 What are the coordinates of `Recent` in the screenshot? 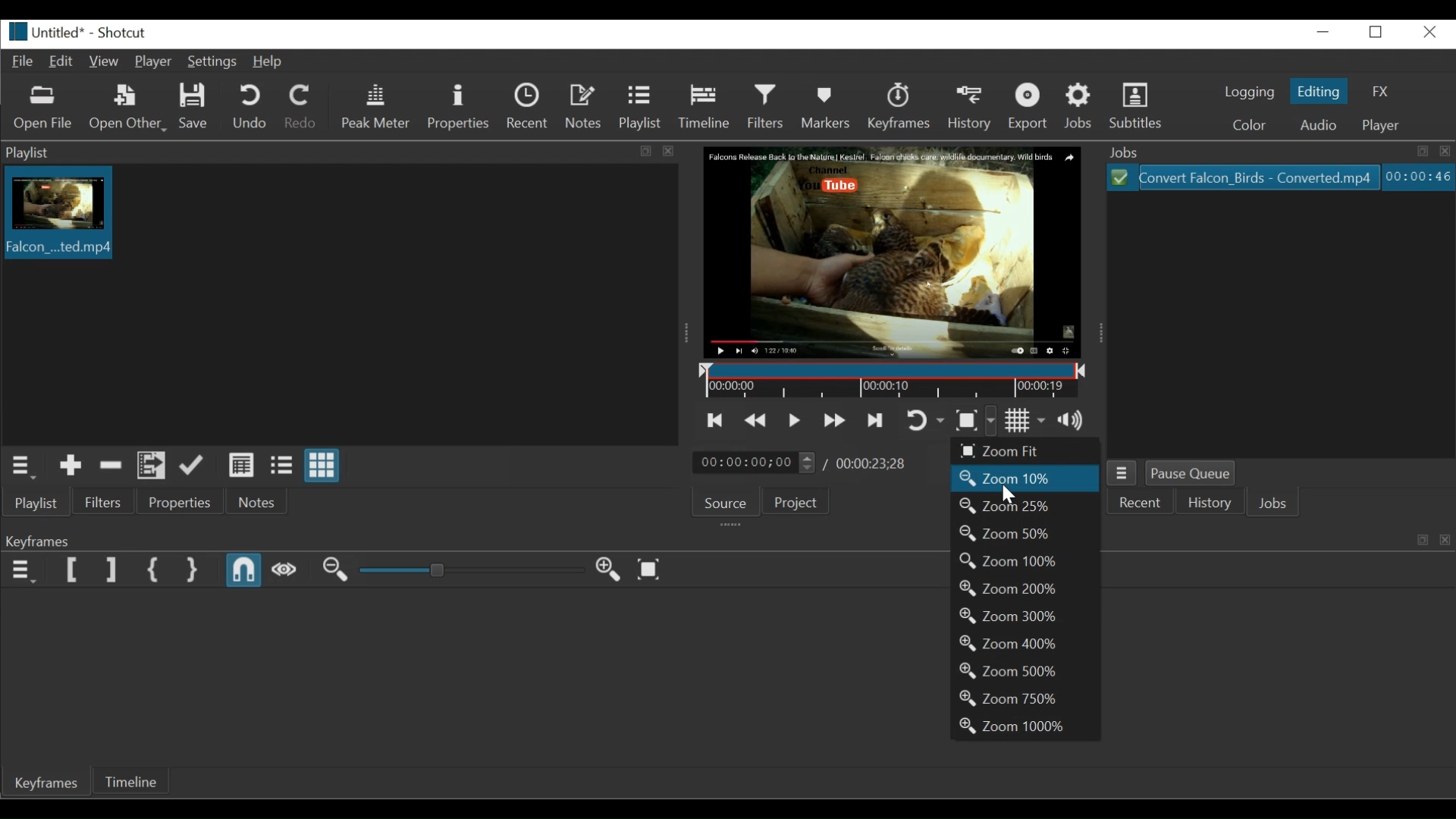 It's located at (1135, 502).